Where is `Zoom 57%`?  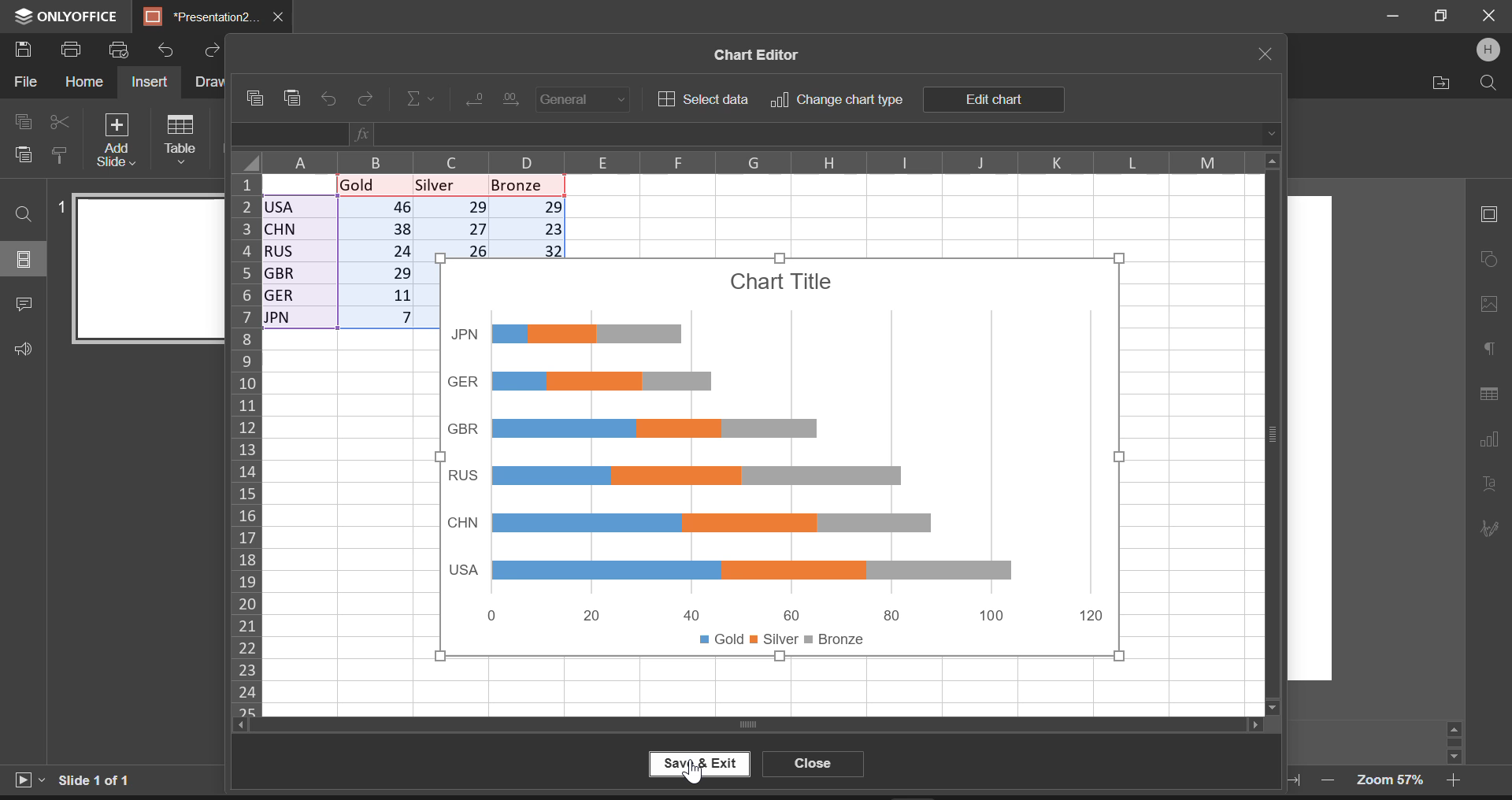
Zoom 57% is located at coordinates (1390, 780).